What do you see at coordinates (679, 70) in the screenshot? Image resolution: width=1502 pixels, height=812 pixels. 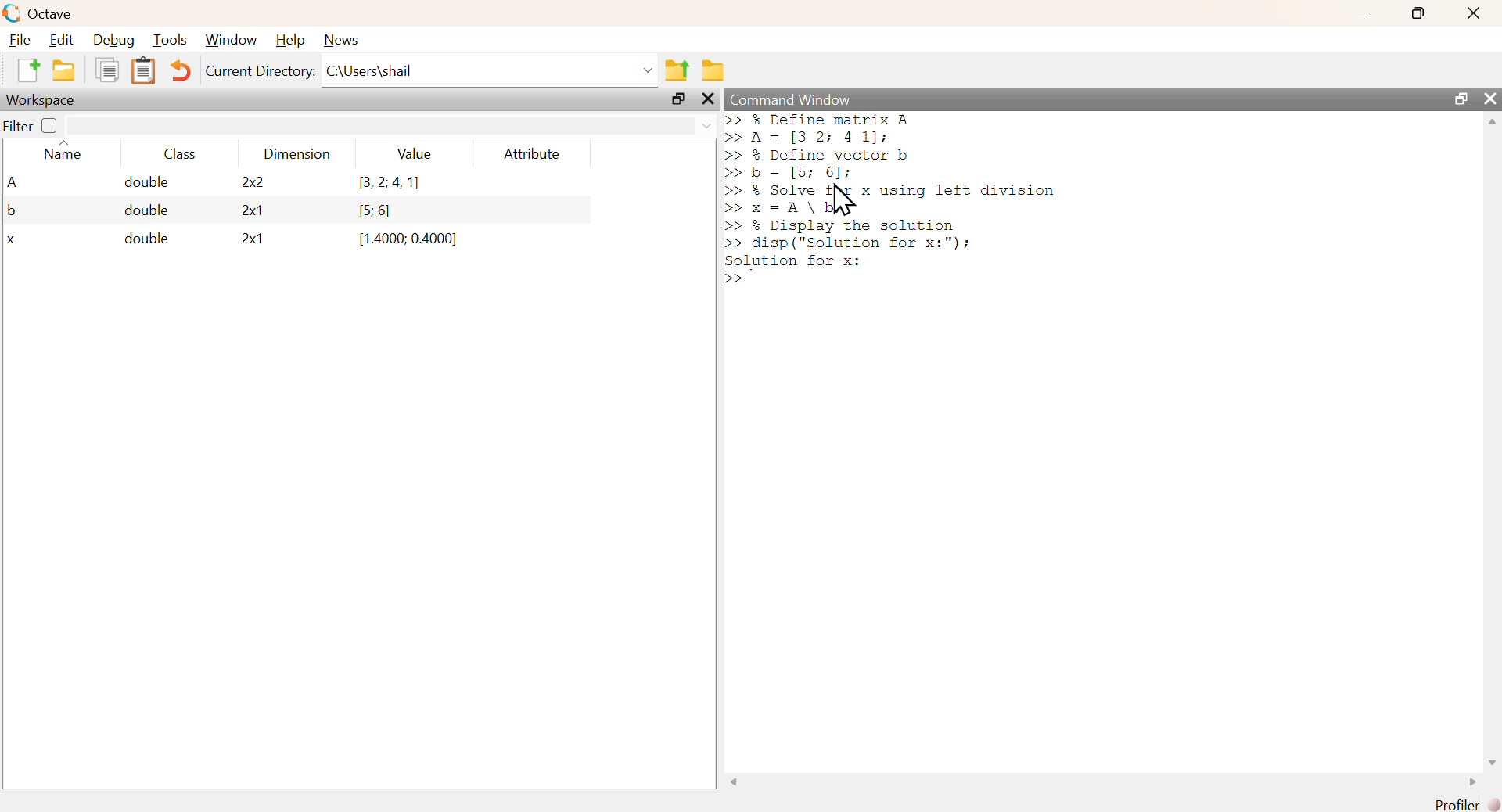 I see `one directory up` at bounding box center [679, 70].